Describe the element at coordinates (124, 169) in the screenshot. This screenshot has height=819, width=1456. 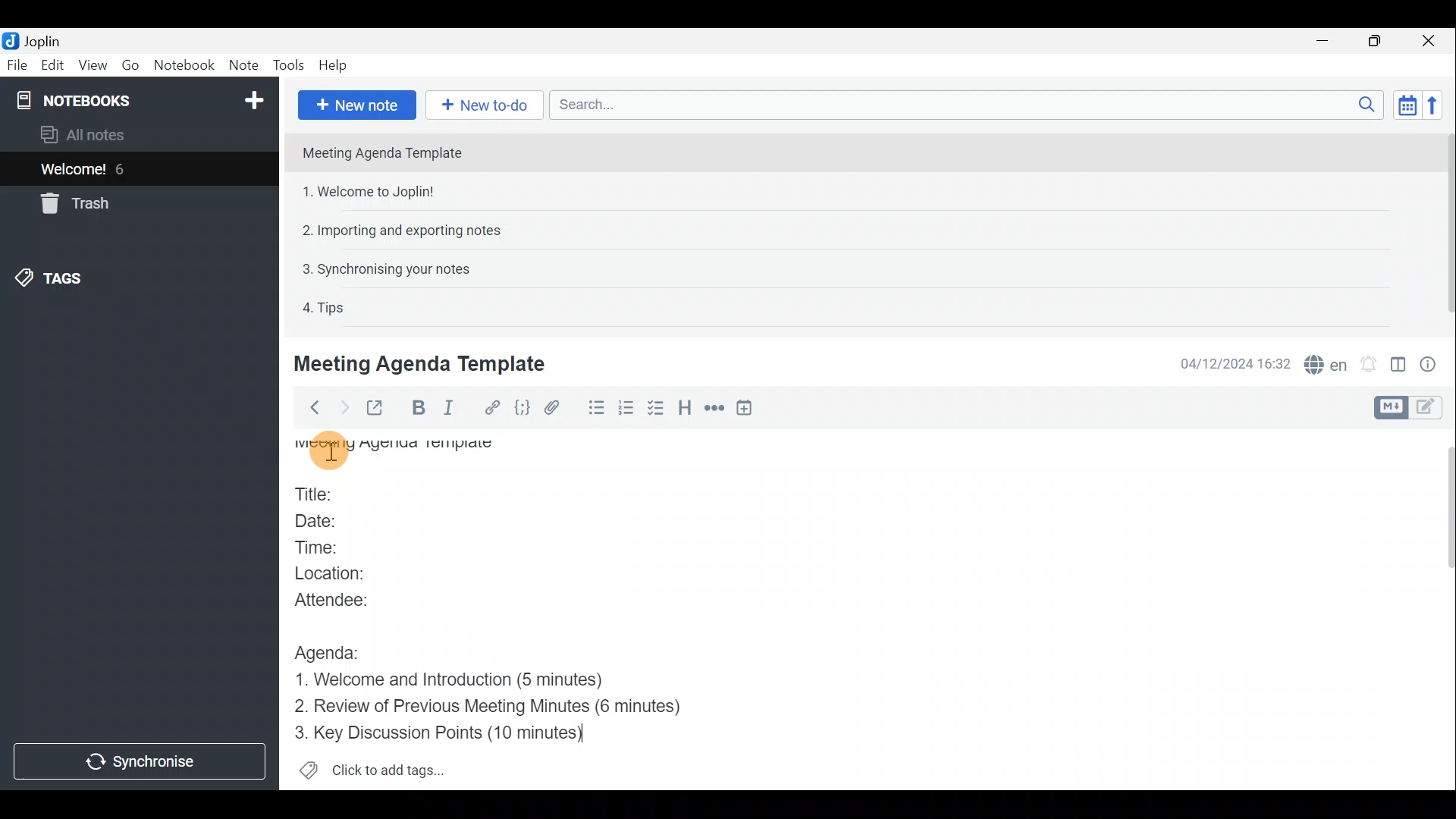
I see `6` at that location.